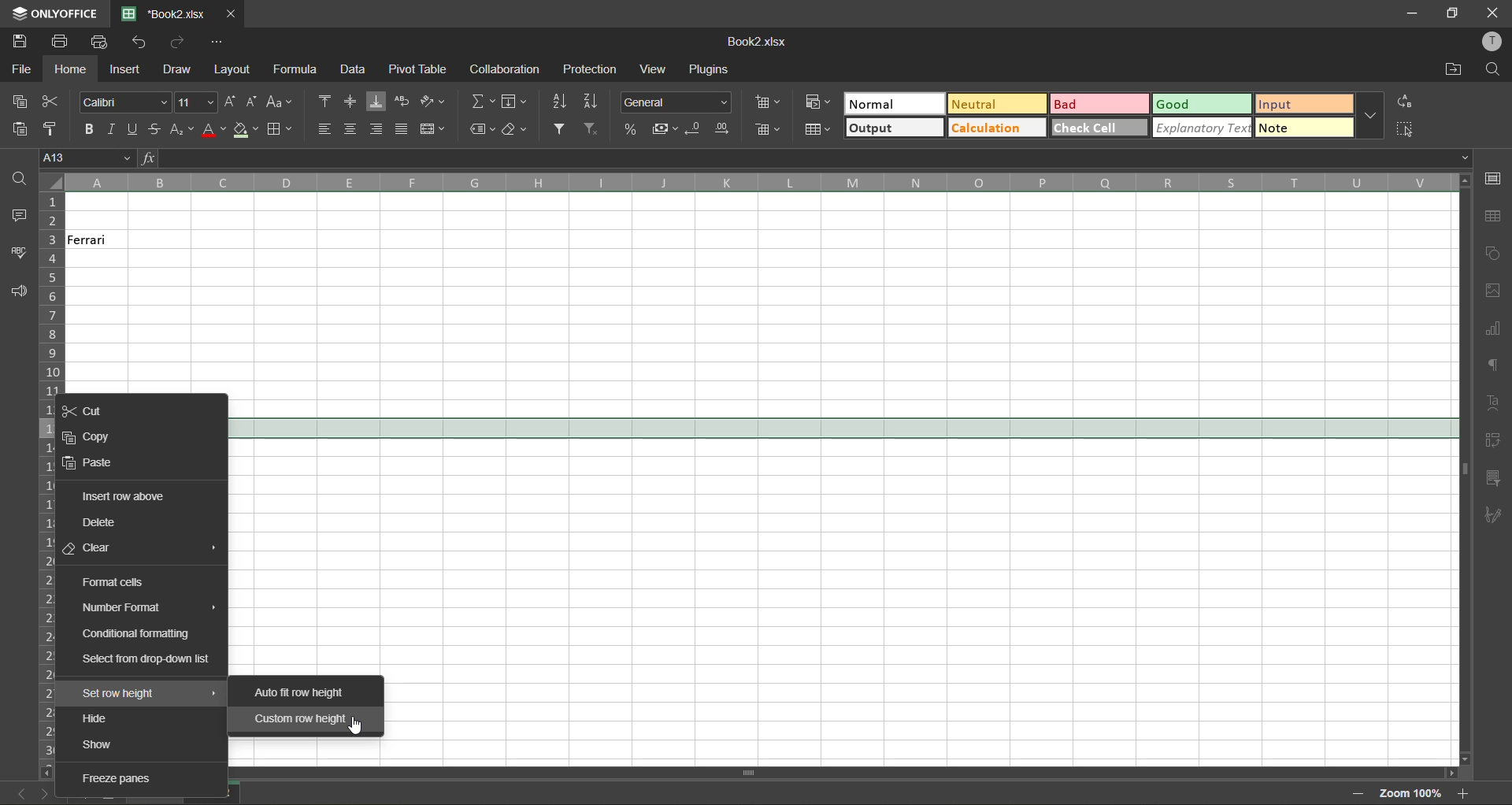 This screenshot has height=805, width=1512. Describe the element at coordinates (652, 68) in the screenshot. I see `view` at that location.